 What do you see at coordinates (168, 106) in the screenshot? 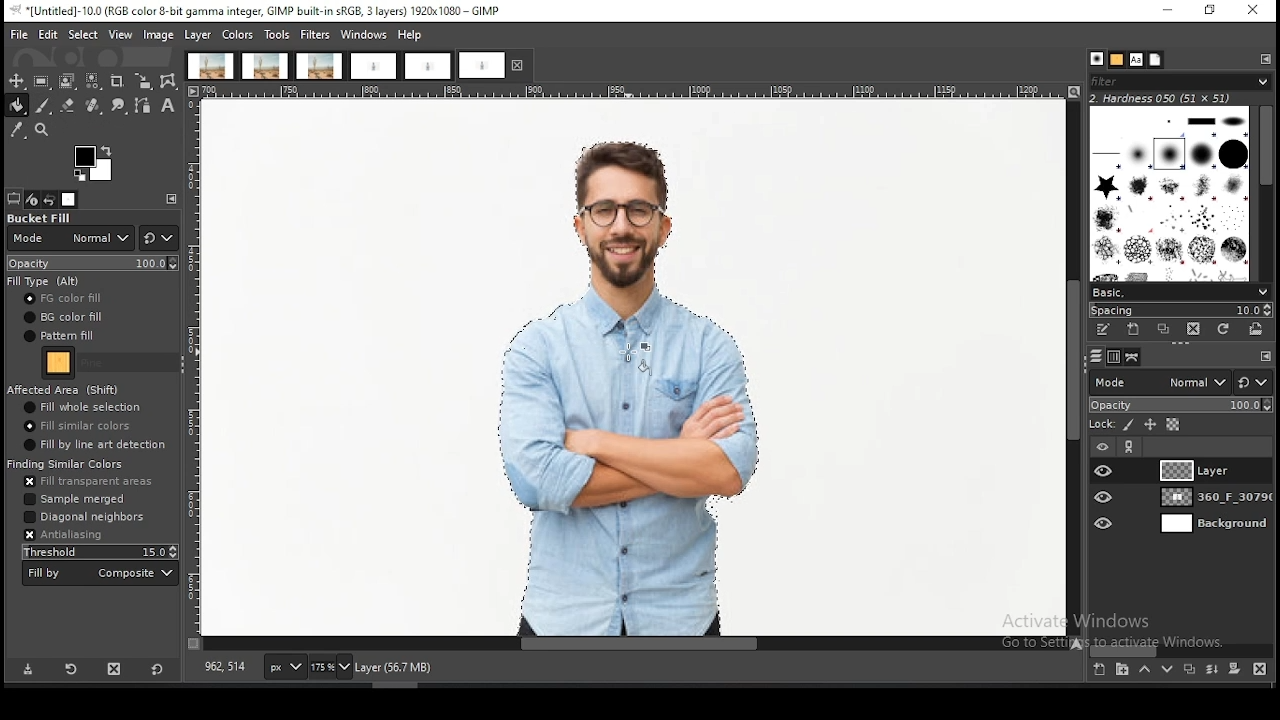
I see `text tool` at bounding box center [168, 106].